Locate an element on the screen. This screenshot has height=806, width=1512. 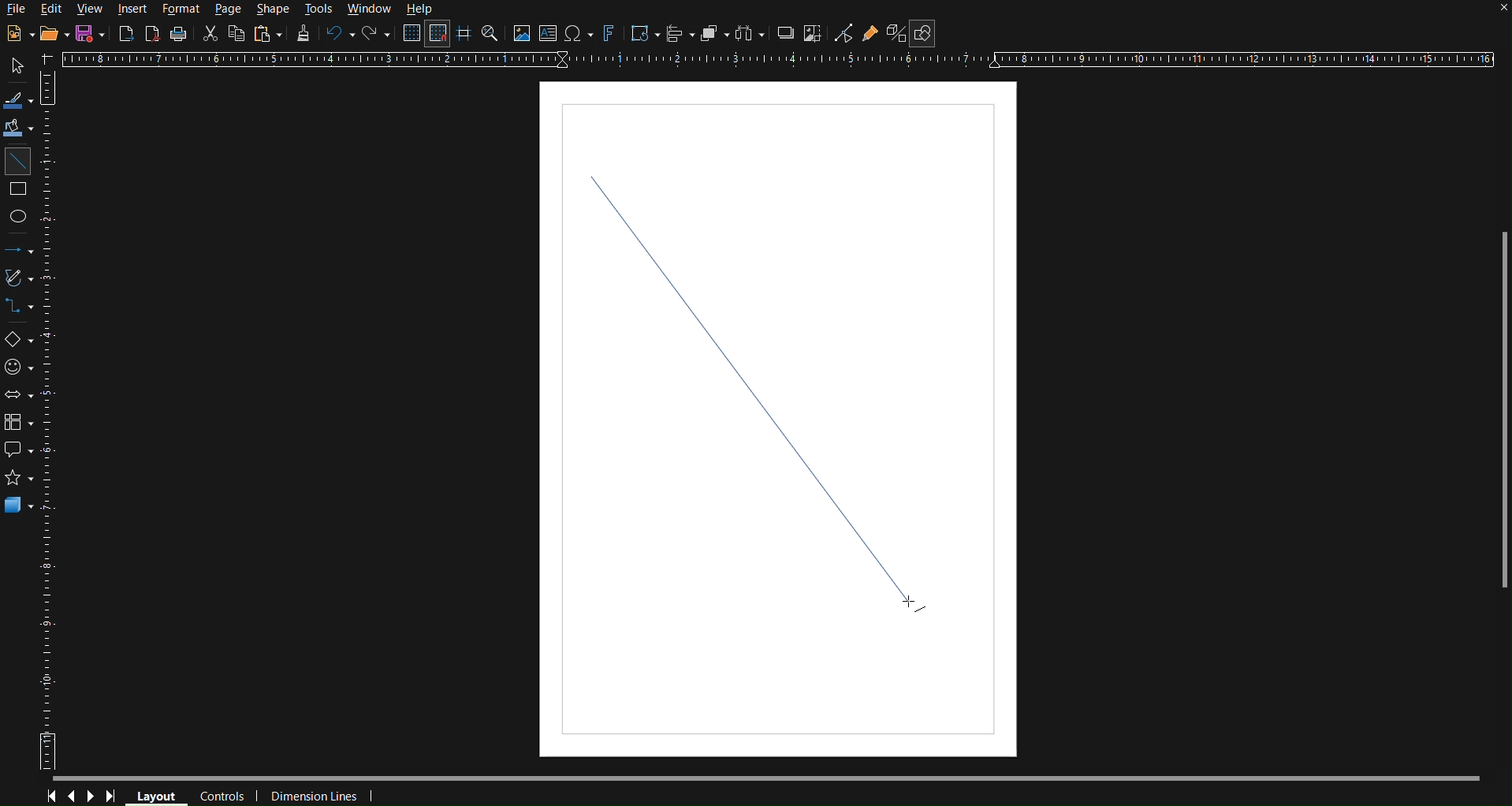
Align Objects is located at coordinates (680, 33).